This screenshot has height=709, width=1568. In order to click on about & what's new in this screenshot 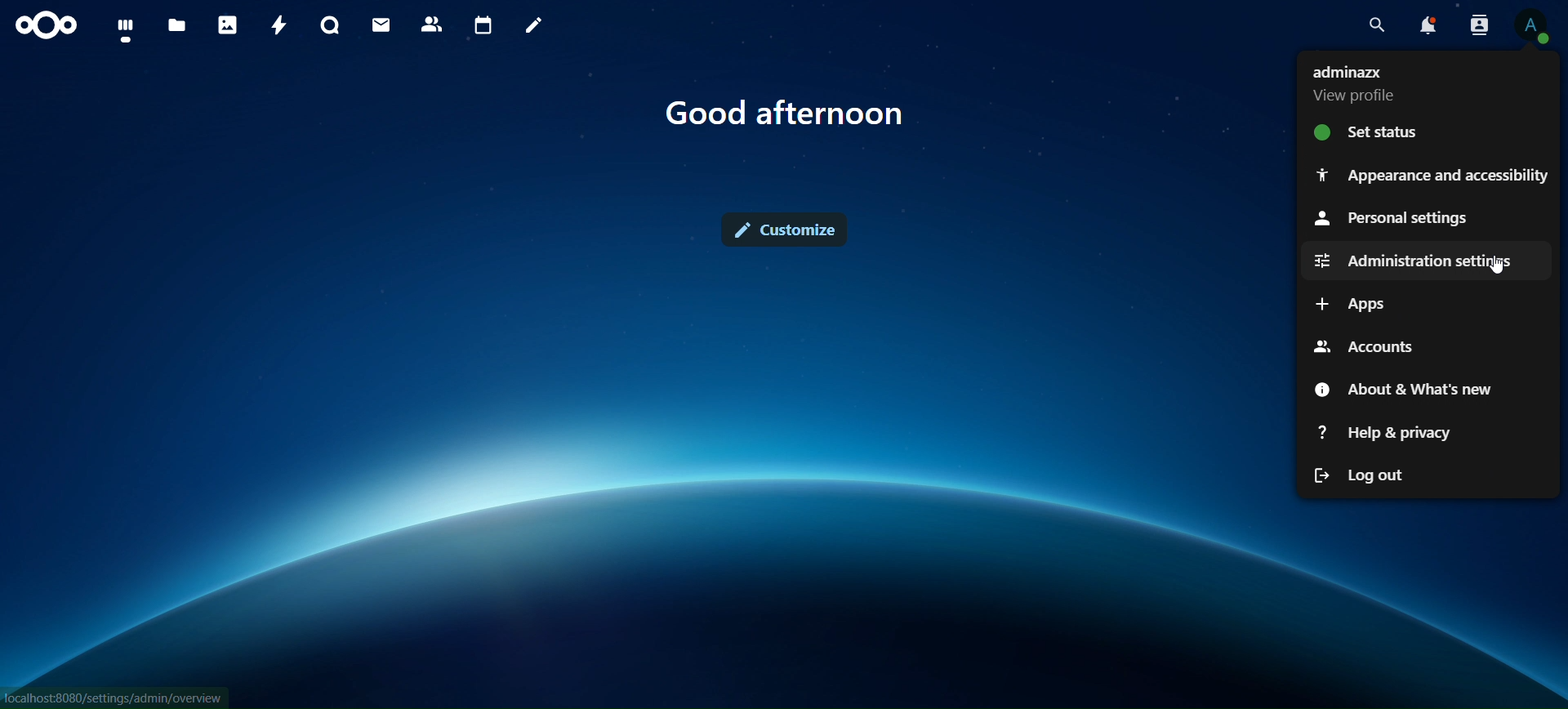, I will do `click(1405, 389)`.